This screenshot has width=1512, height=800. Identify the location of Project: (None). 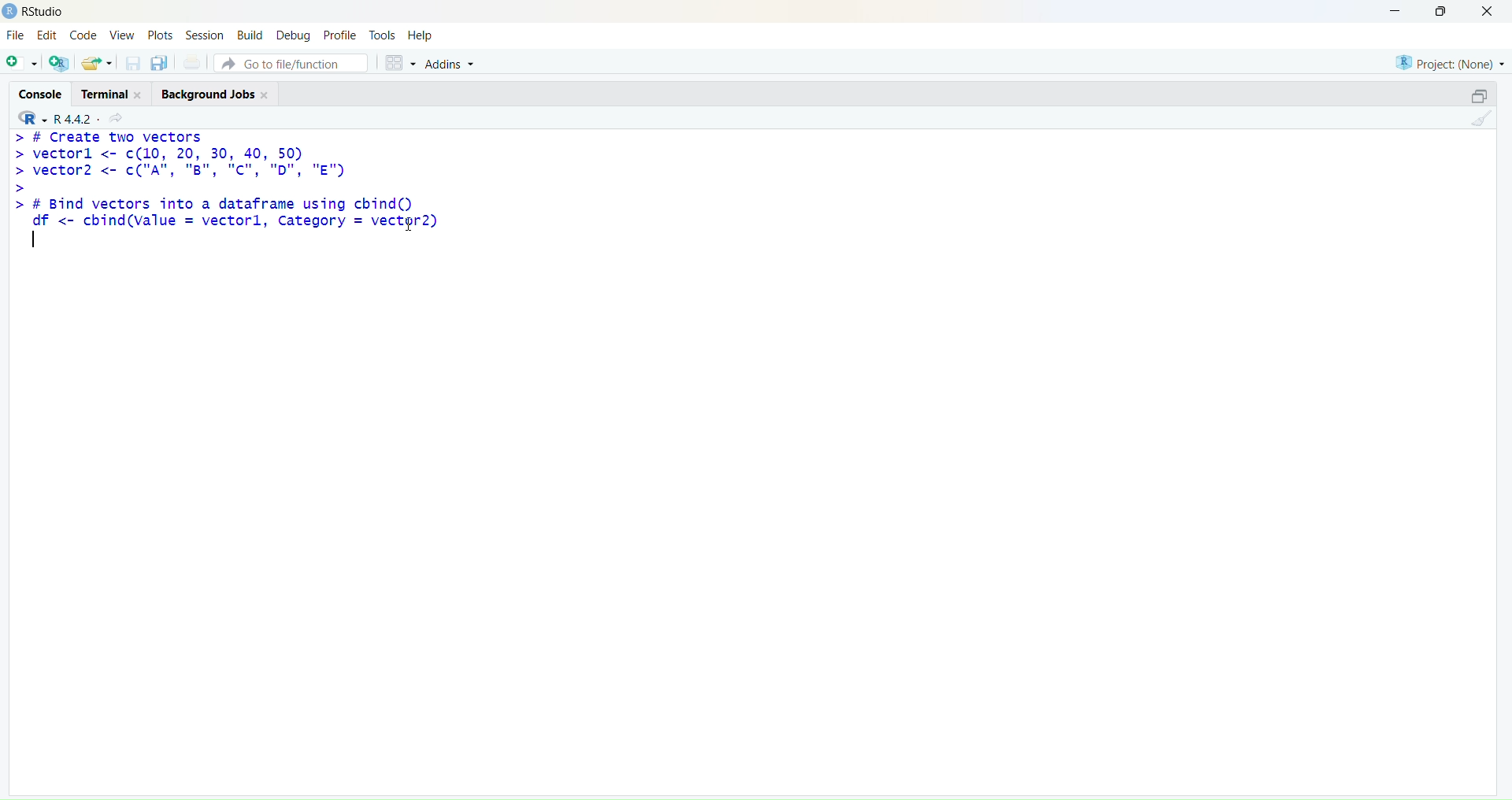
(1448, 63).